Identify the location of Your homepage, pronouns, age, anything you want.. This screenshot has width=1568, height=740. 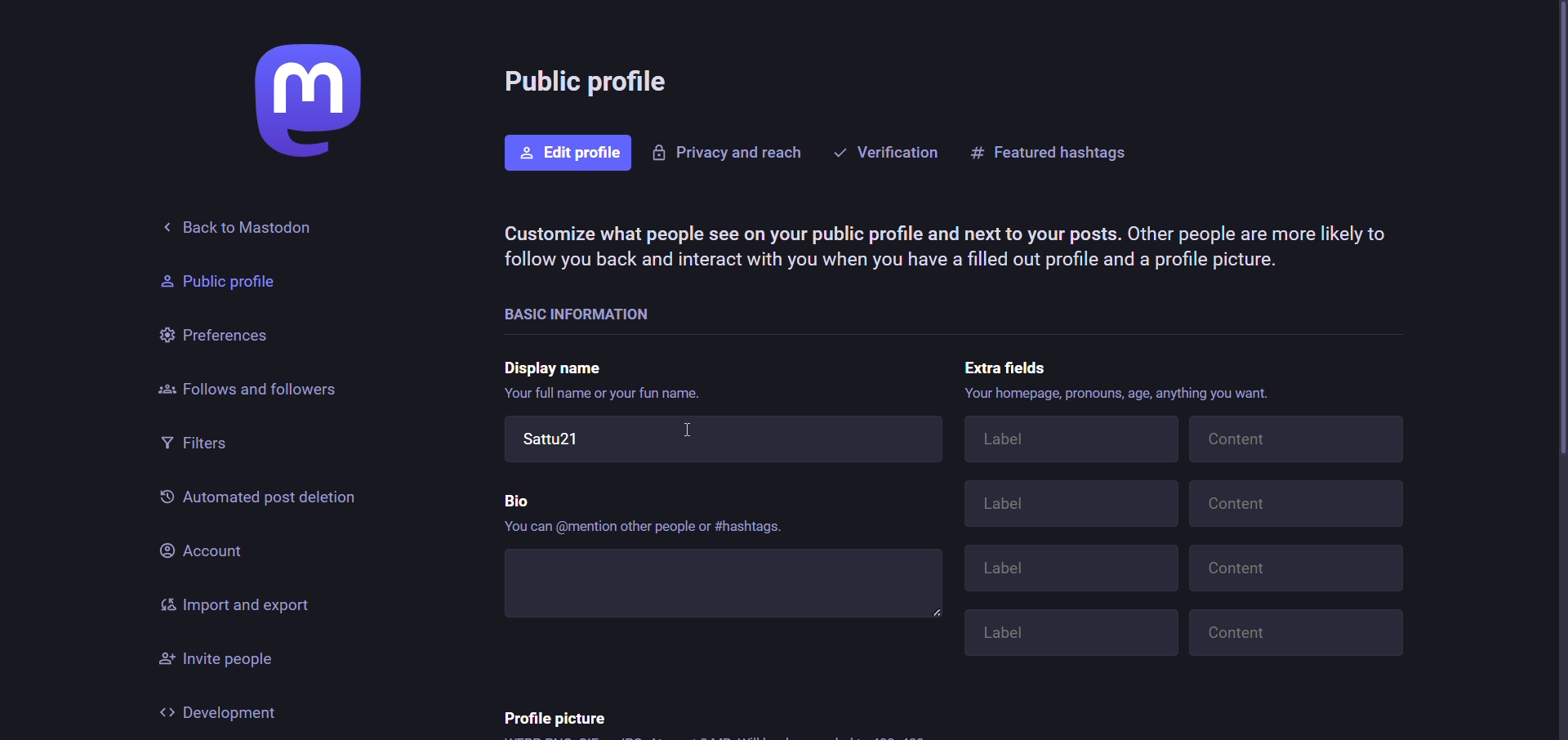
(1111, 393).